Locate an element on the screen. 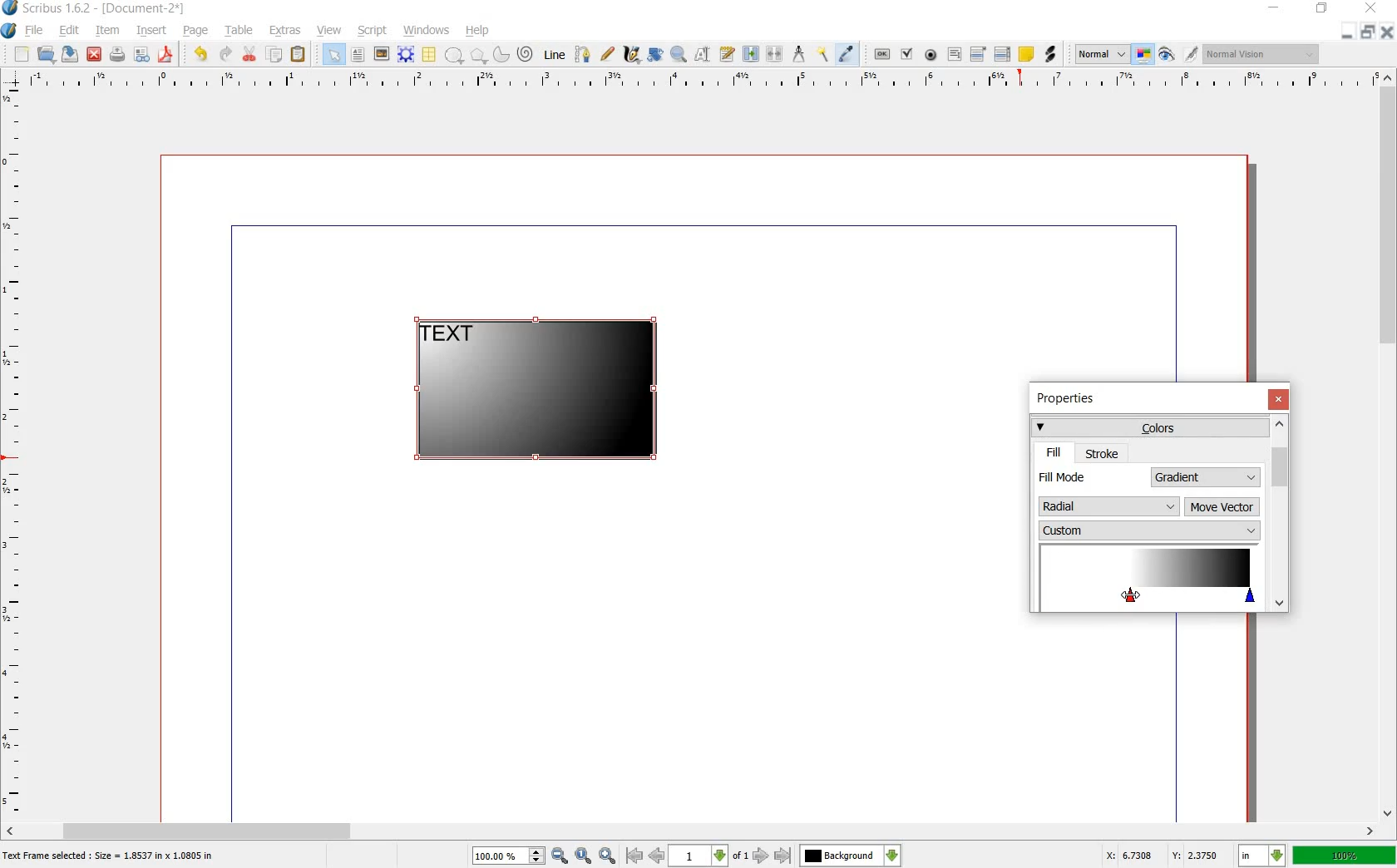 Image resolution: width=1397 pixels, height=868 pixels. print is located at coordinates (117, 55).